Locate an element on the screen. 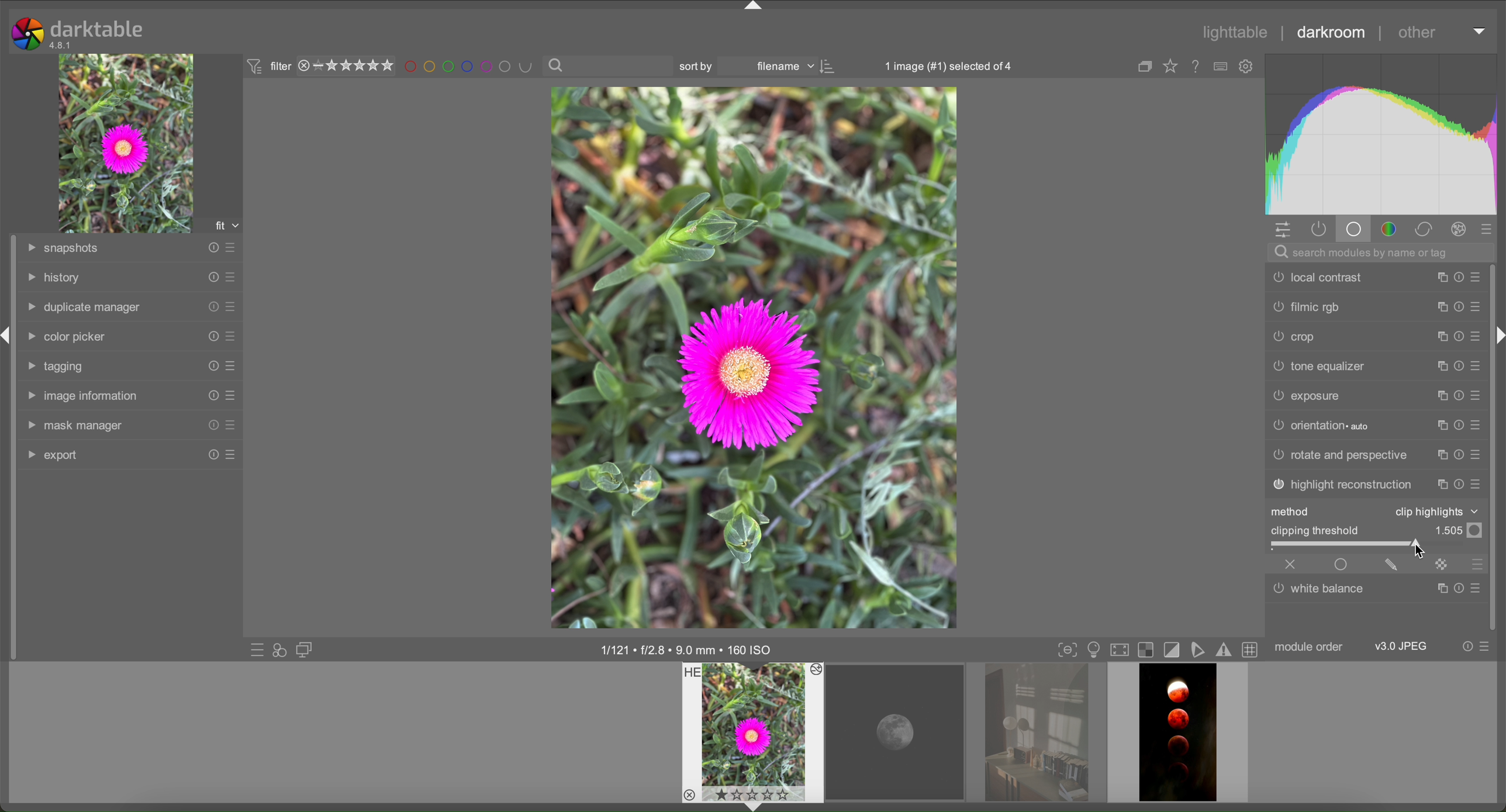 The width and height of the screenshot is (1506, 812). clip highlights is located at coordinates (1434, 511).